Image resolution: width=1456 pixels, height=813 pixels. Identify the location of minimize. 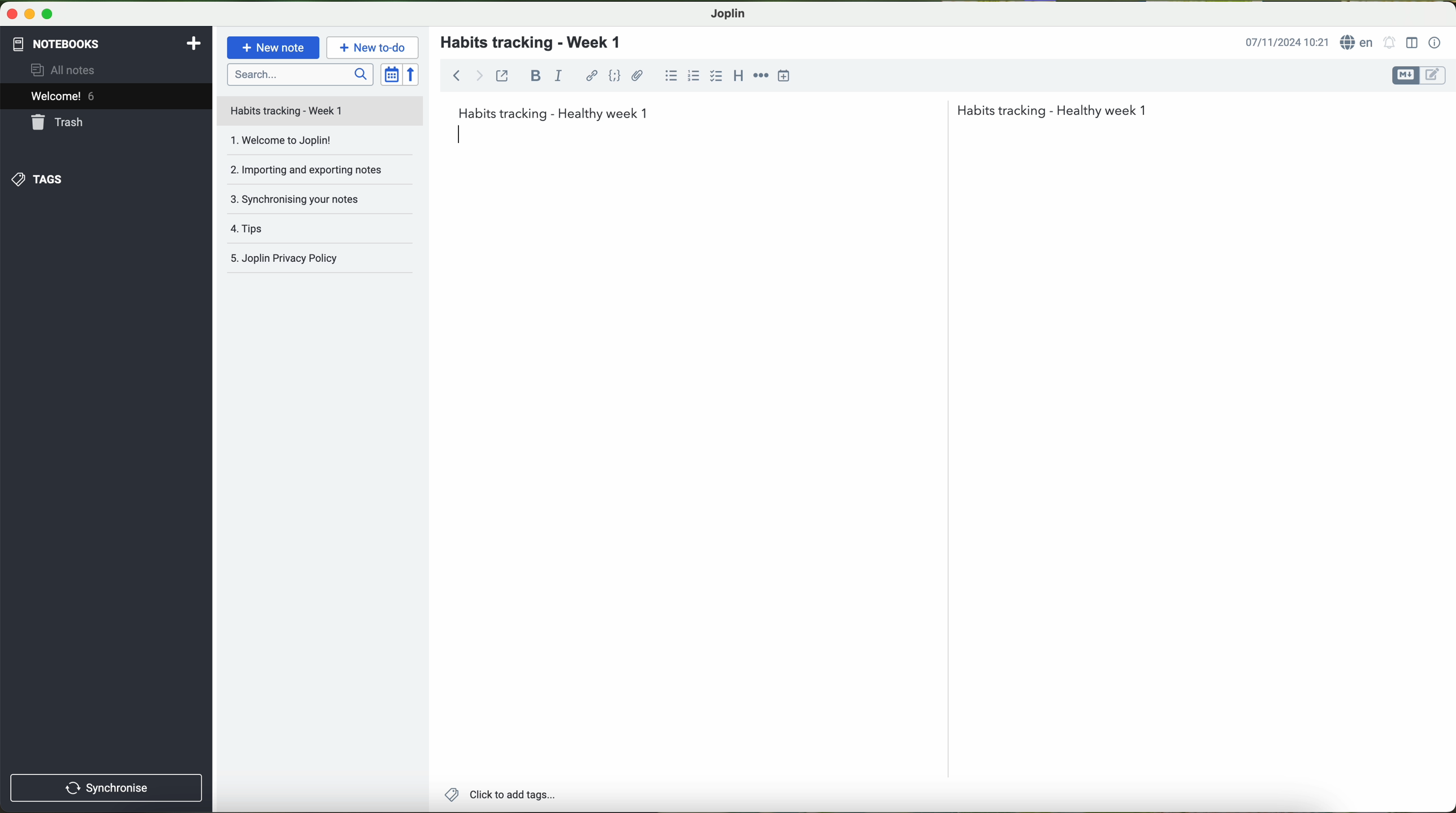
(27, 13).